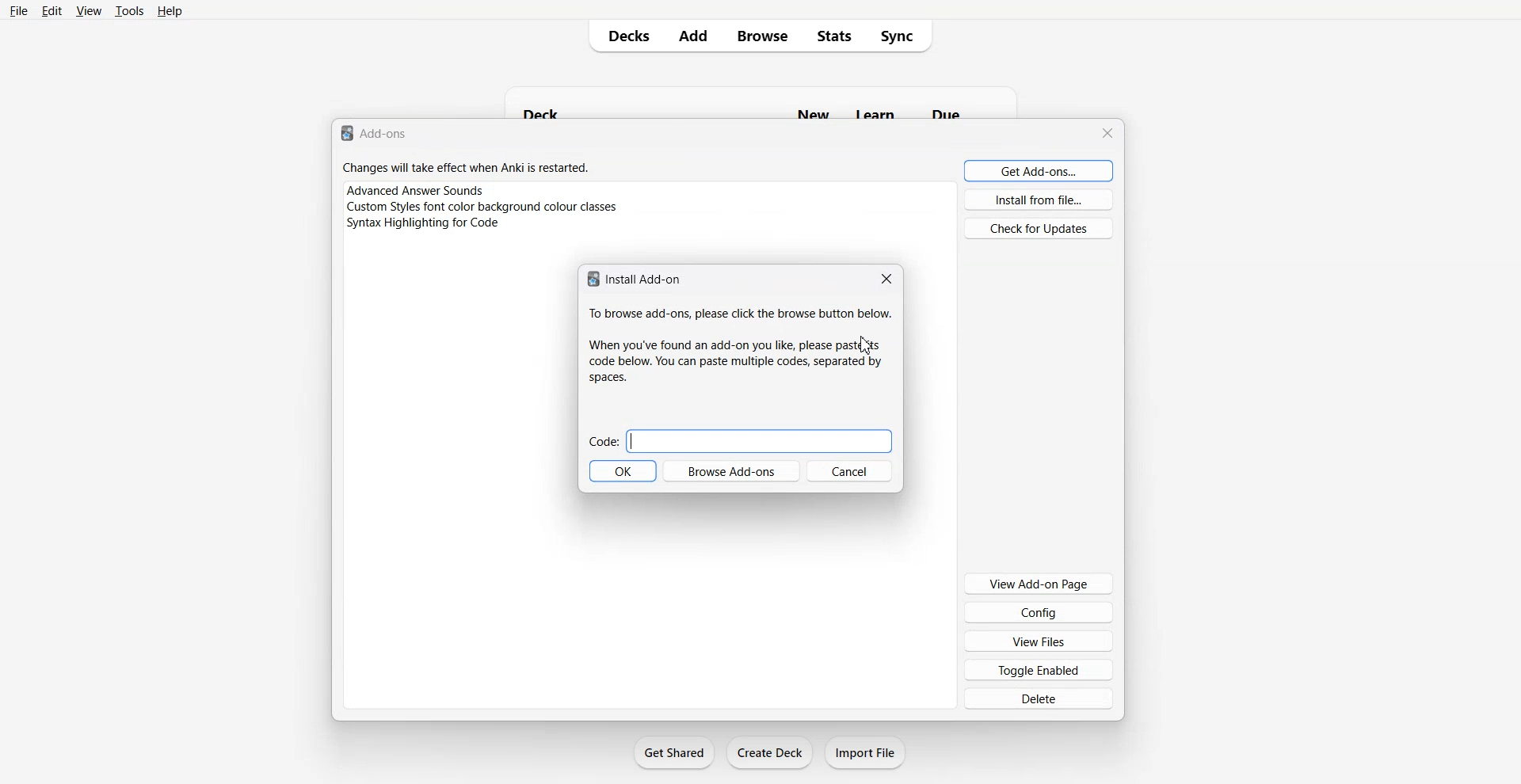  Describe the element at coordinates (649, 225) in the screenshot. I see `Plugins` at that location.